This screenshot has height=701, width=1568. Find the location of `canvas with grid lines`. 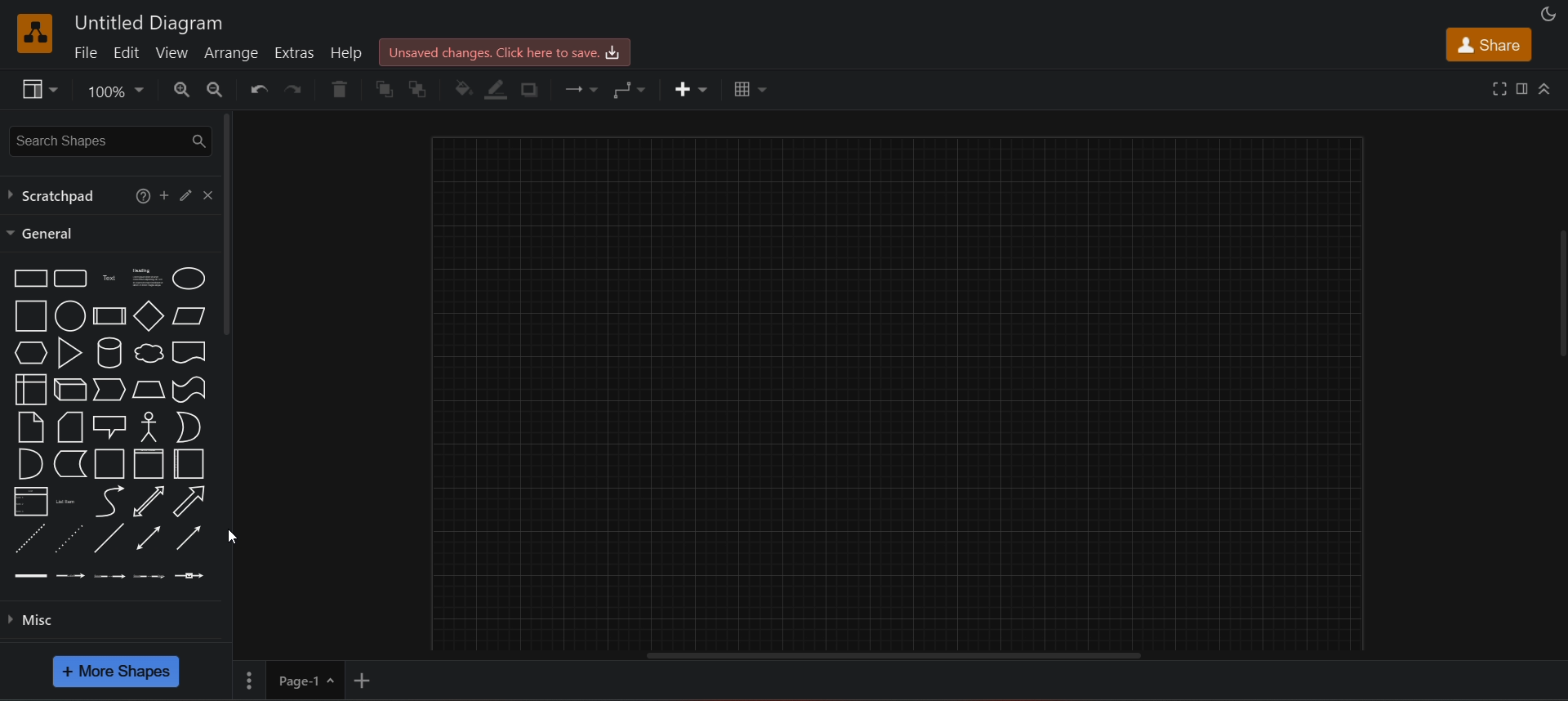

canvas with grid lines is located at coordinates (898, 391).